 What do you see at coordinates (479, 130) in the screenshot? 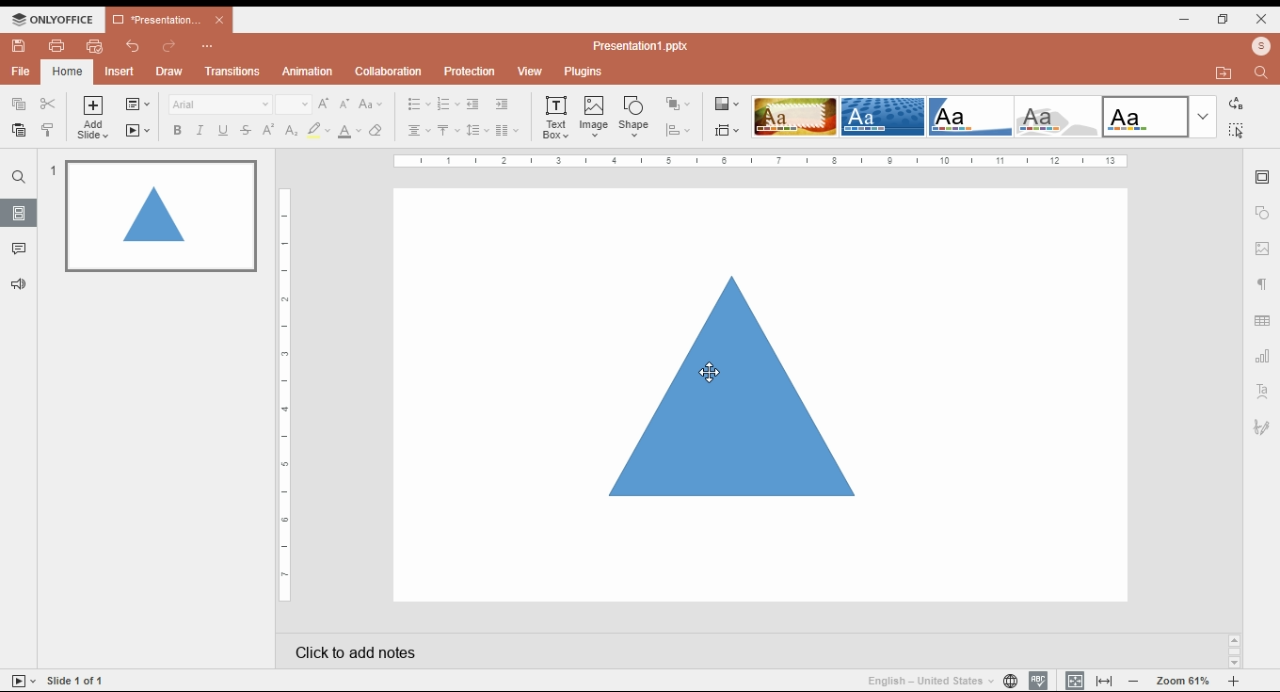
I see `line spacing` at bounding box center [479, 130].